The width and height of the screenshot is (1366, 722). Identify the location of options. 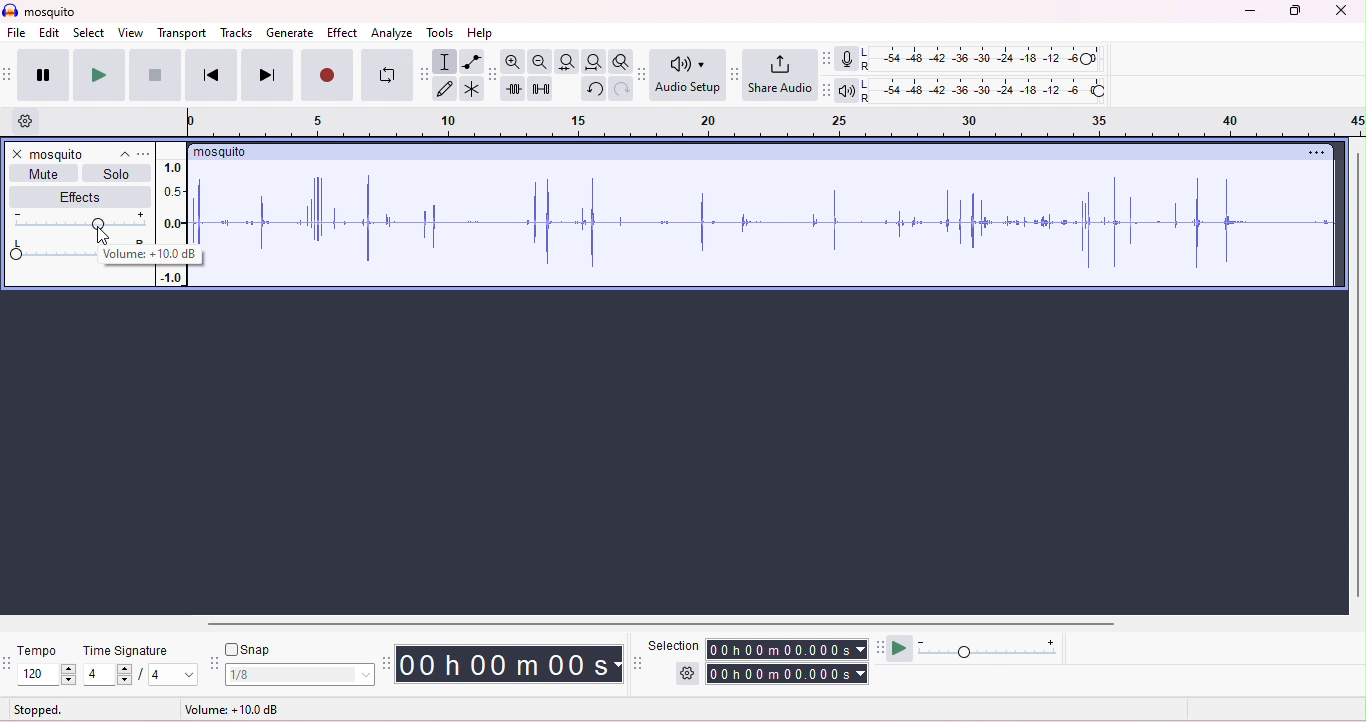
(146, 154).